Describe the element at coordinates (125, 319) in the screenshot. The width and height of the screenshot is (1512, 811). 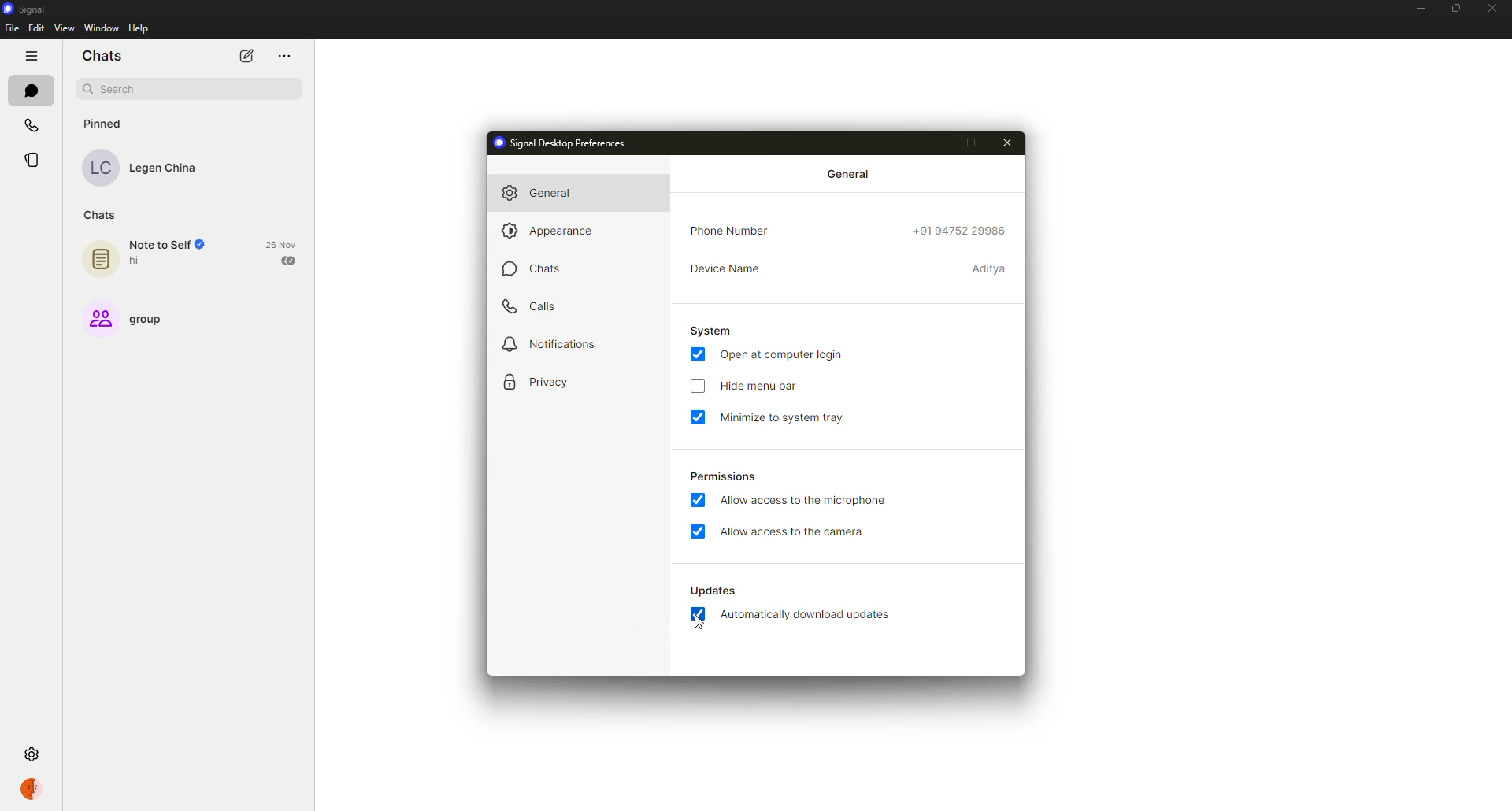
I see `group` at that location.